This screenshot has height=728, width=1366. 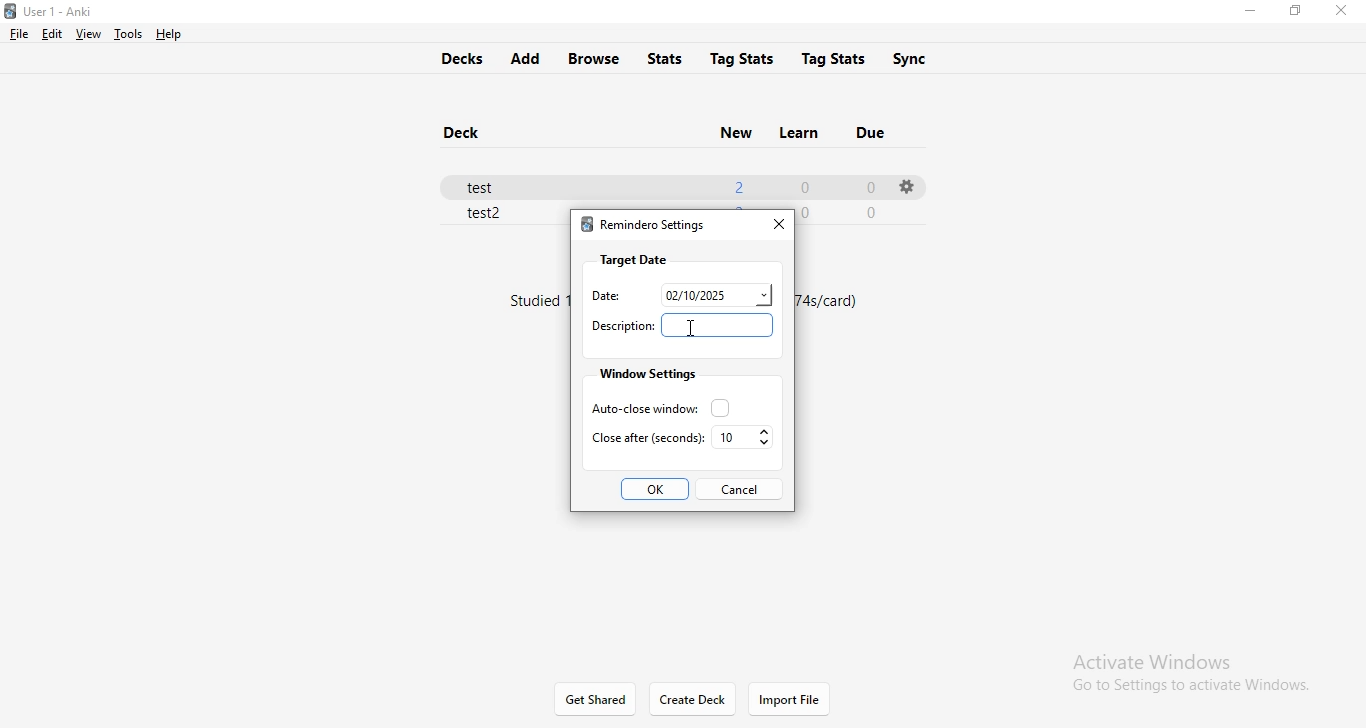 I want to click on 2, so click(x=737, y=184).